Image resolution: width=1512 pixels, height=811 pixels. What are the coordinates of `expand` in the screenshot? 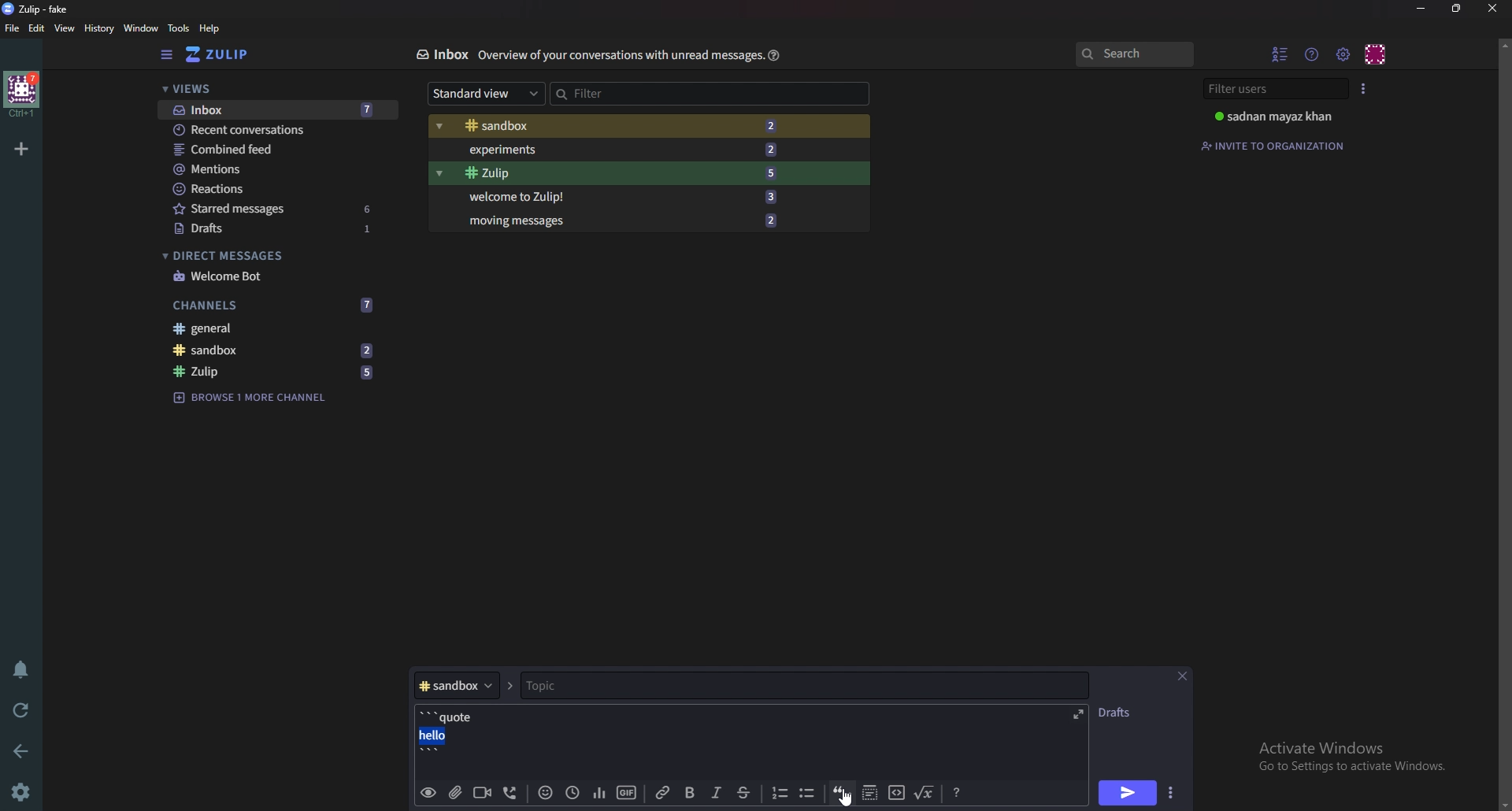 It's located at (1080, 714).